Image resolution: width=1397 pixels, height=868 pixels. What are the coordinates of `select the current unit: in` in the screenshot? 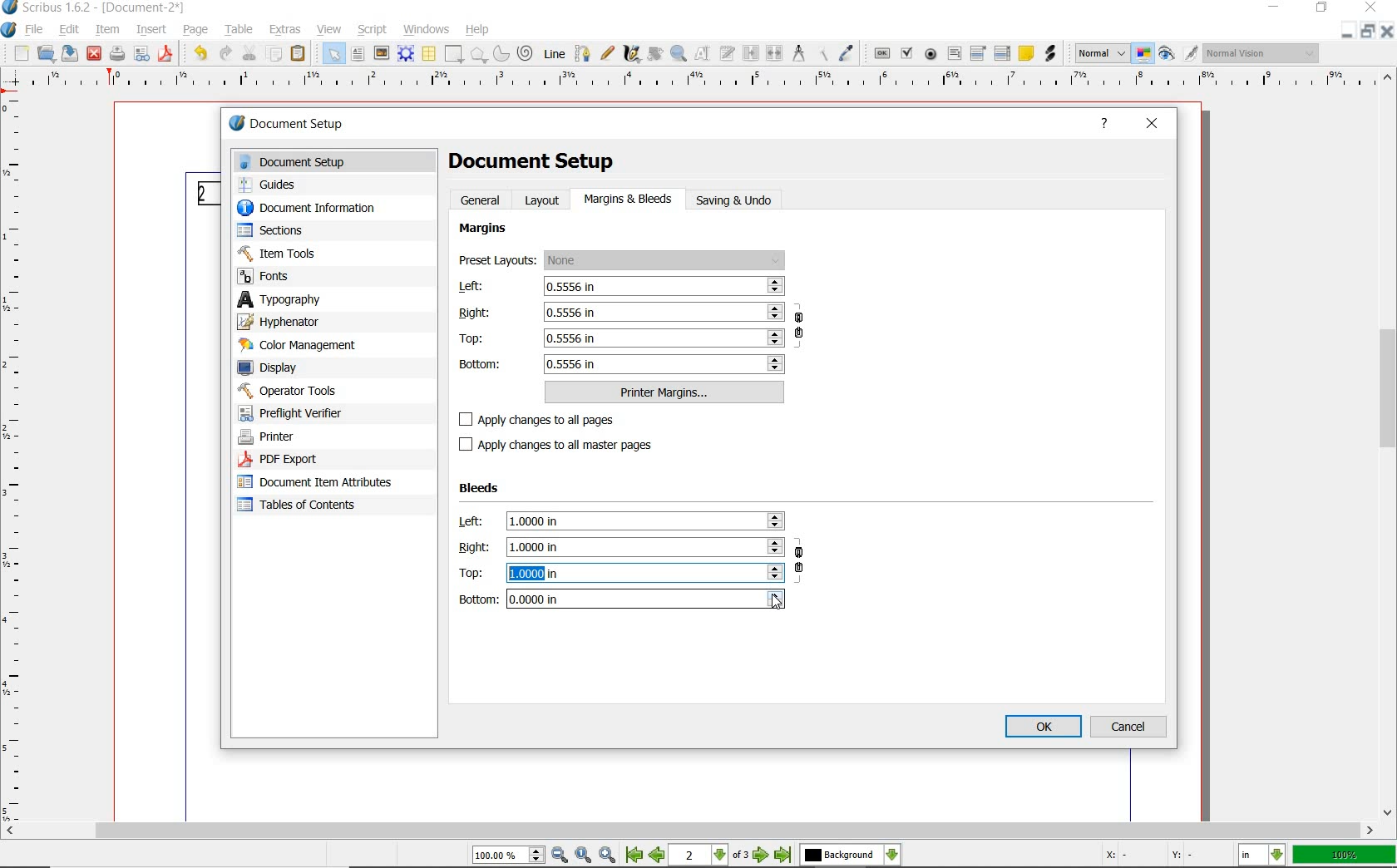 It's located at (1263, 856).